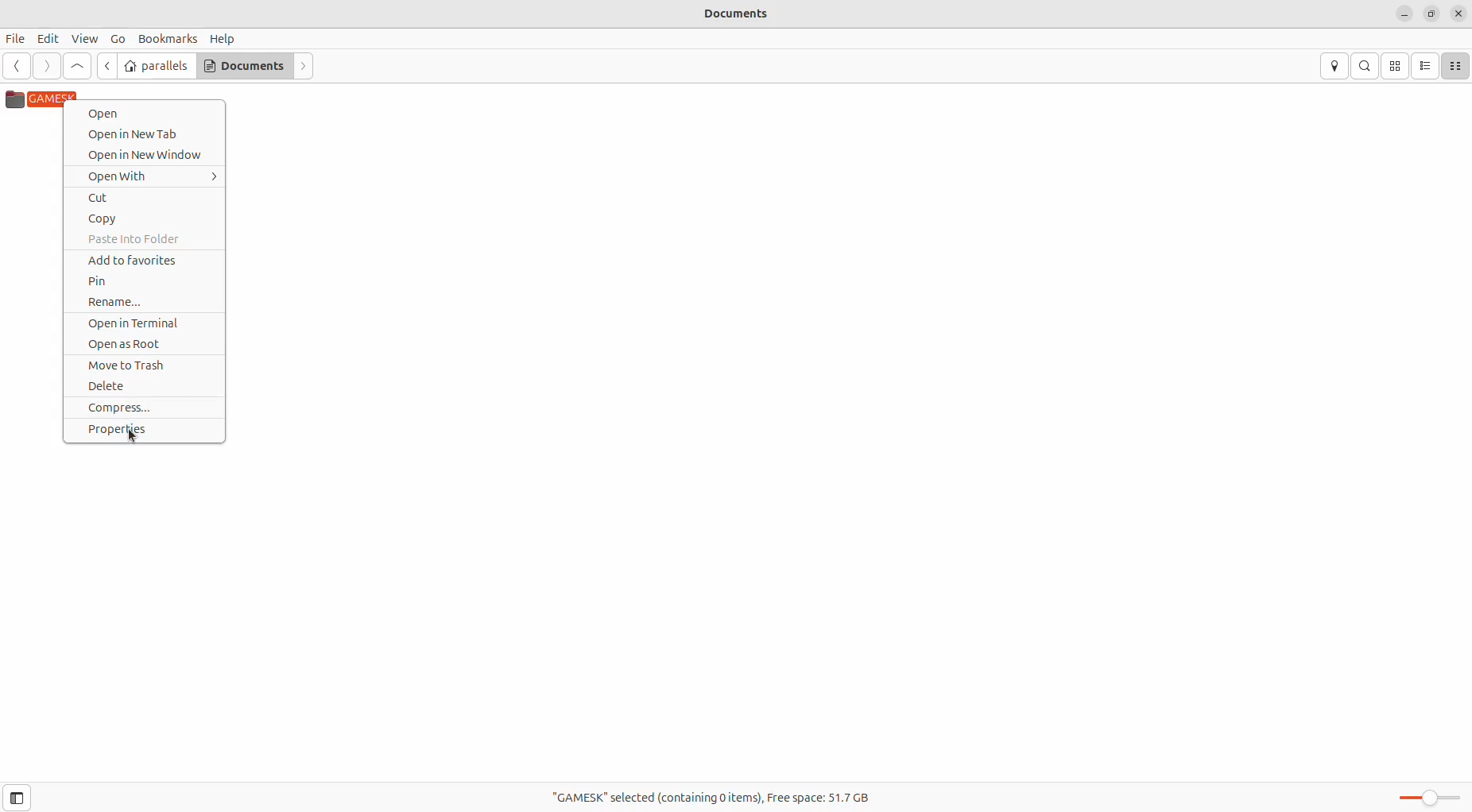 The width and height of the screenshot is (1472, 812). What do you see at coordinates (143, 282) in the screenshot?
I see `pin ` at bounding box center [143, 282].